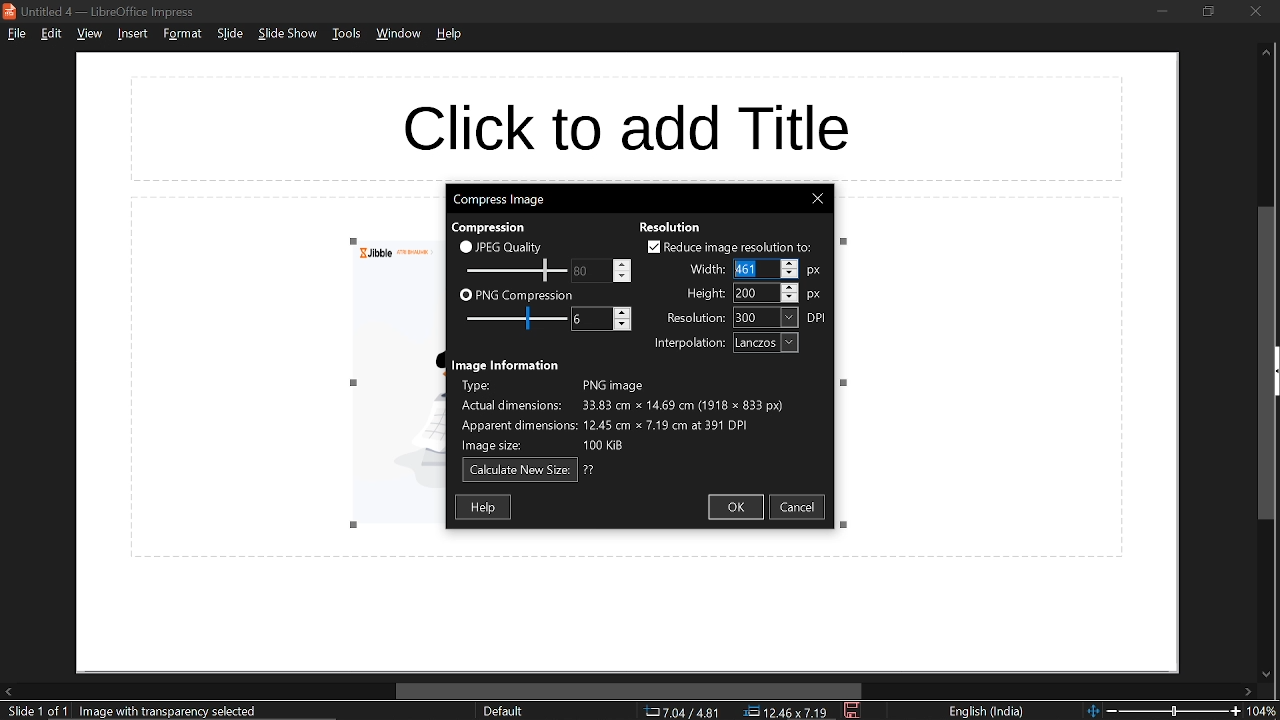  I want to click on Increase , so click(791, 263).